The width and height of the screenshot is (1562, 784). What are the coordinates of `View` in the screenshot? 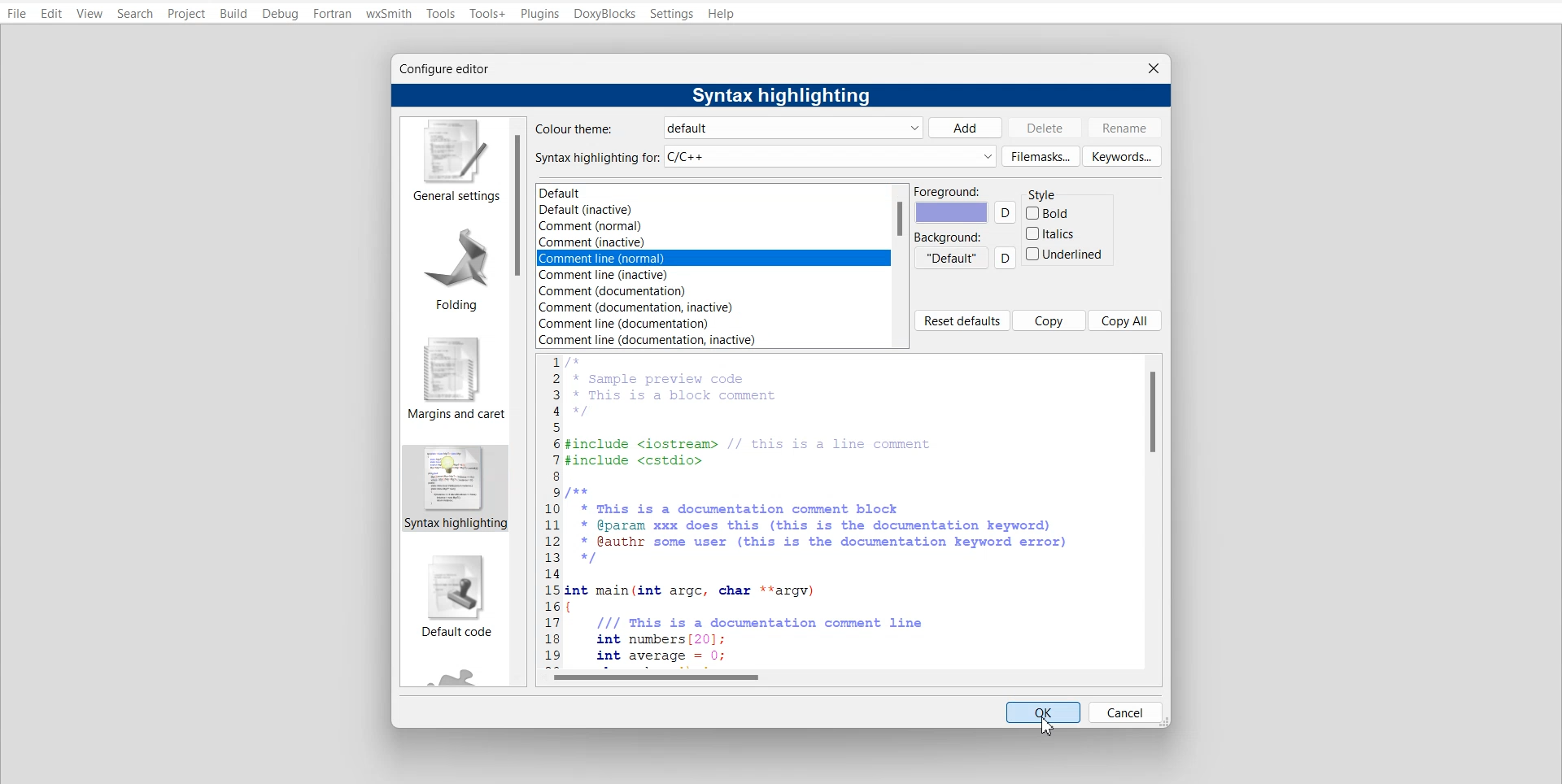 It's located at (89, 14).